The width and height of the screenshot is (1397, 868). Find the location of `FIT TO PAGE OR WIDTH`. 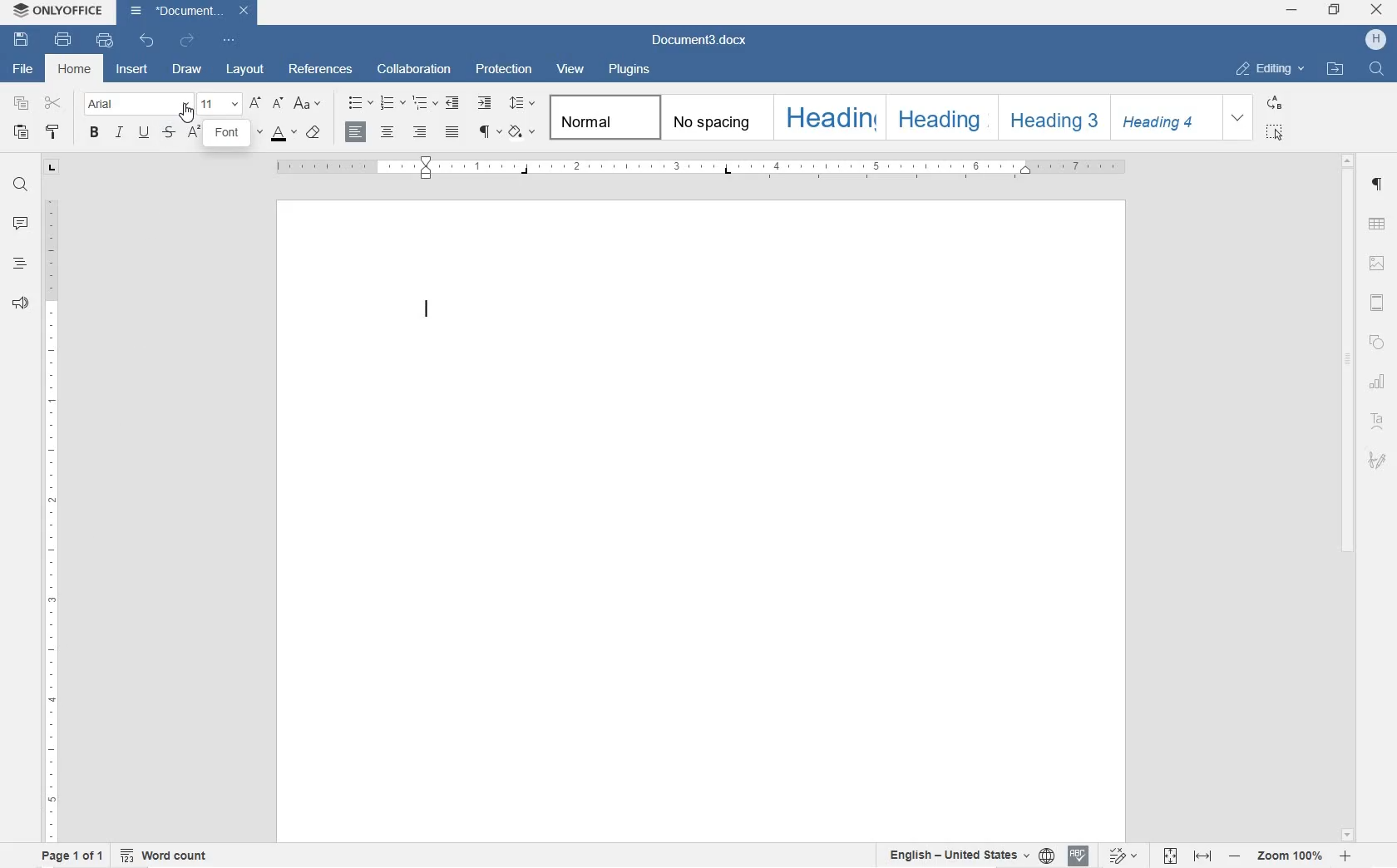

FIT TO PAGE OR WIDTH is located at coordinates (1190, 854).